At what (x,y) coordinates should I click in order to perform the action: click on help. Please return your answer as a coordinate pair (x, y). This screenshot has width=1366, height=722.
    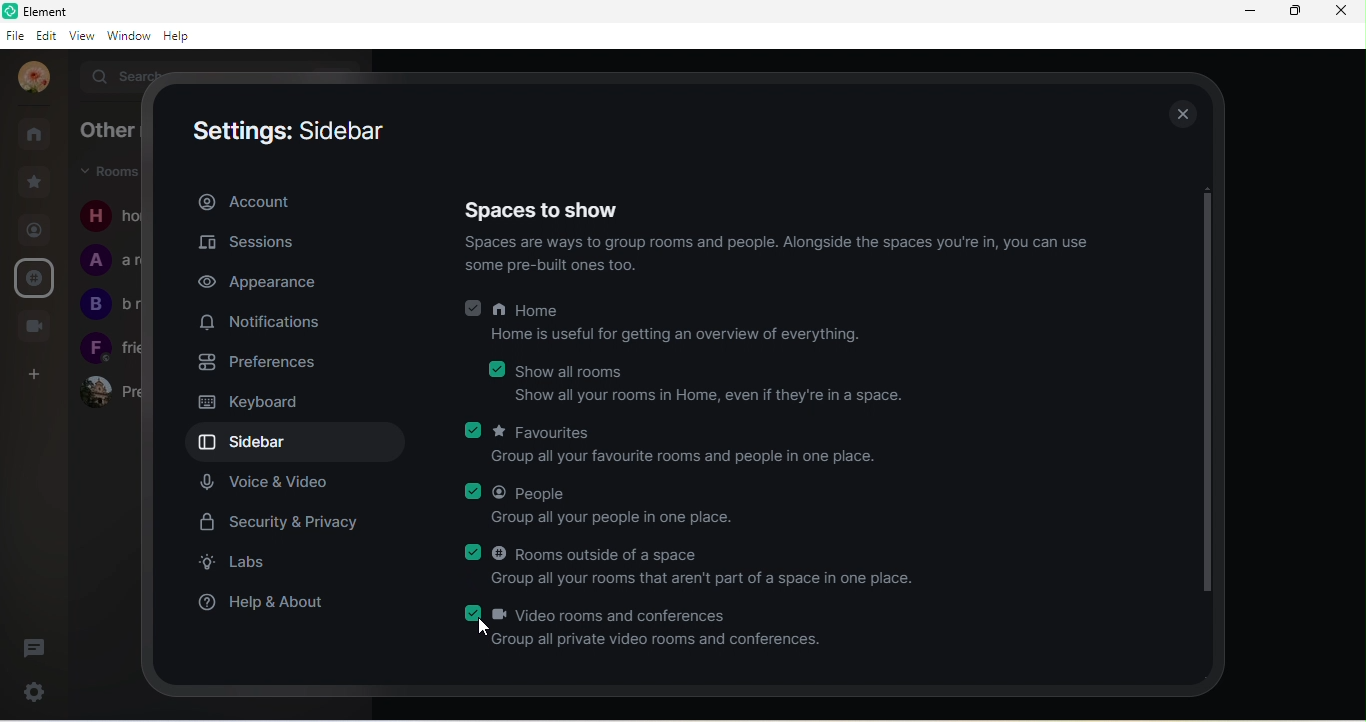
    Looking at the image, I should click on (178, 36).